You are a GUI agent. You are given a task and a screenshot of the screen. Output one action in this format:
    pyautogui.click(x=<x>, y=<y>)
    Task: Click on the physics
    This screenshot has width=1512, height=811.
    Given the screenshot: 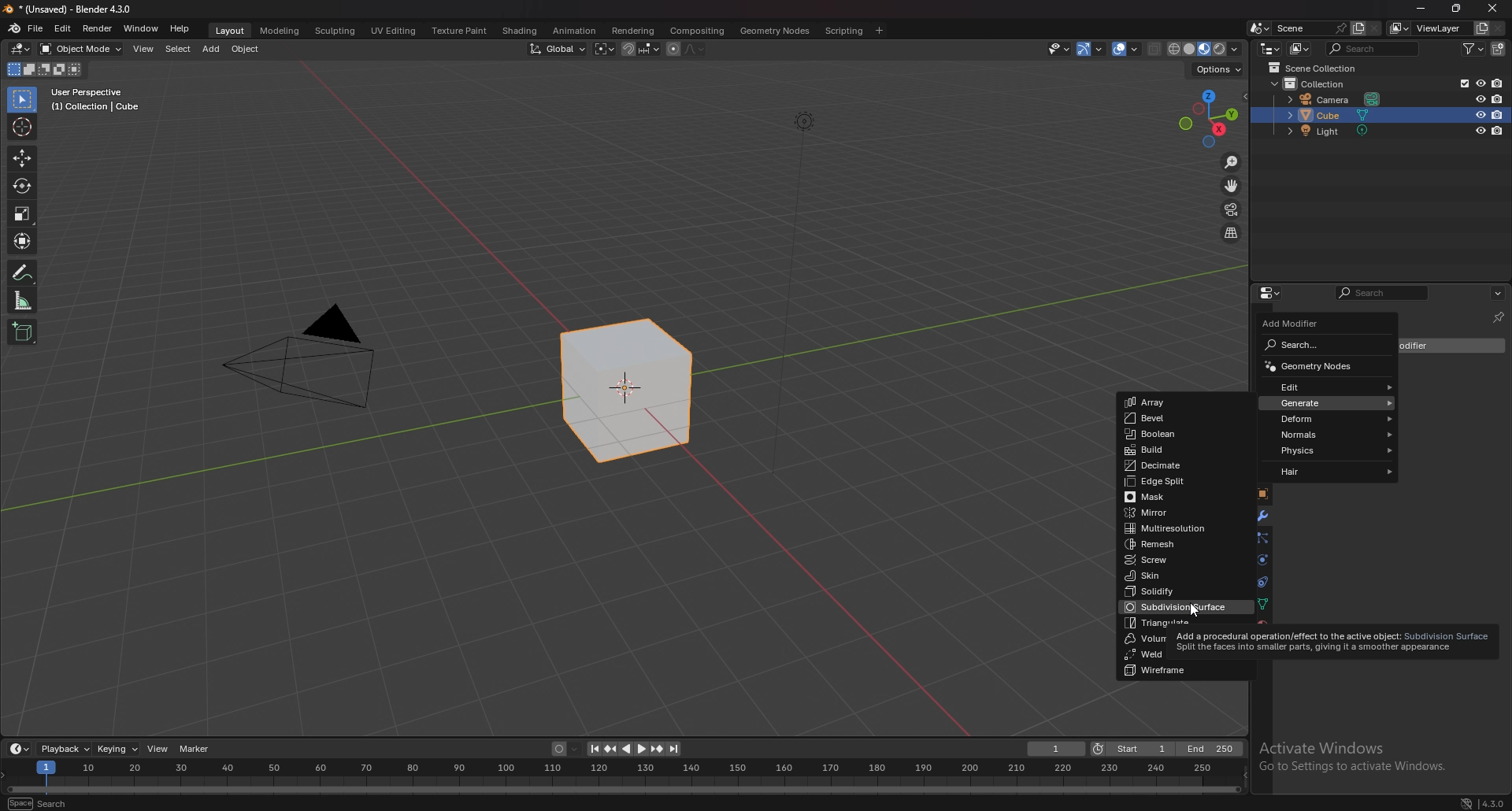 What is the action you would take?
    pyautogui.click(x=1262, y=561)
    